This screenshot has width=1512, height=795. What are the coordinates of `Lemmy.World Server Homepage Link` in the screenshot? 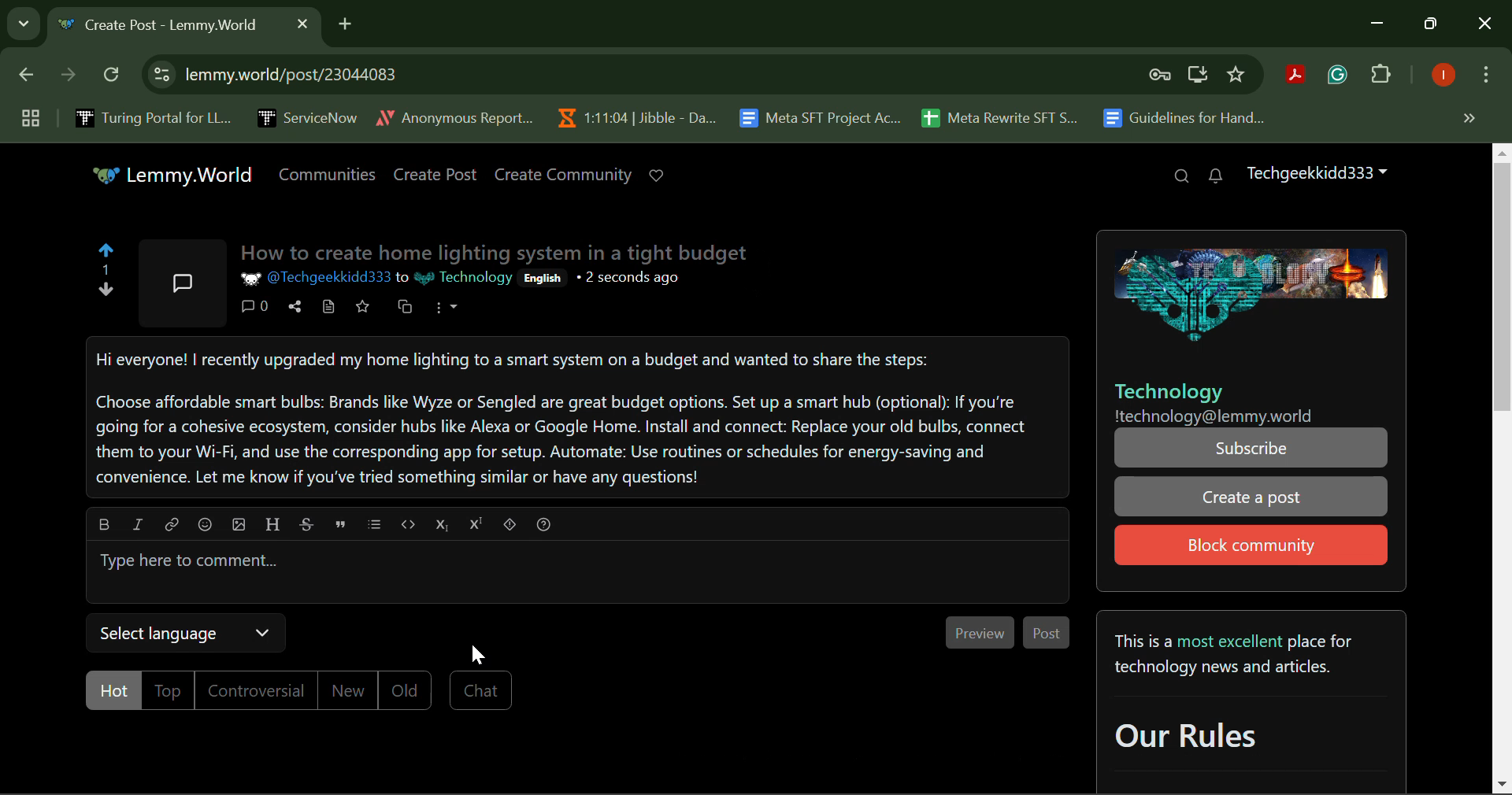 It's located at (174, 174).